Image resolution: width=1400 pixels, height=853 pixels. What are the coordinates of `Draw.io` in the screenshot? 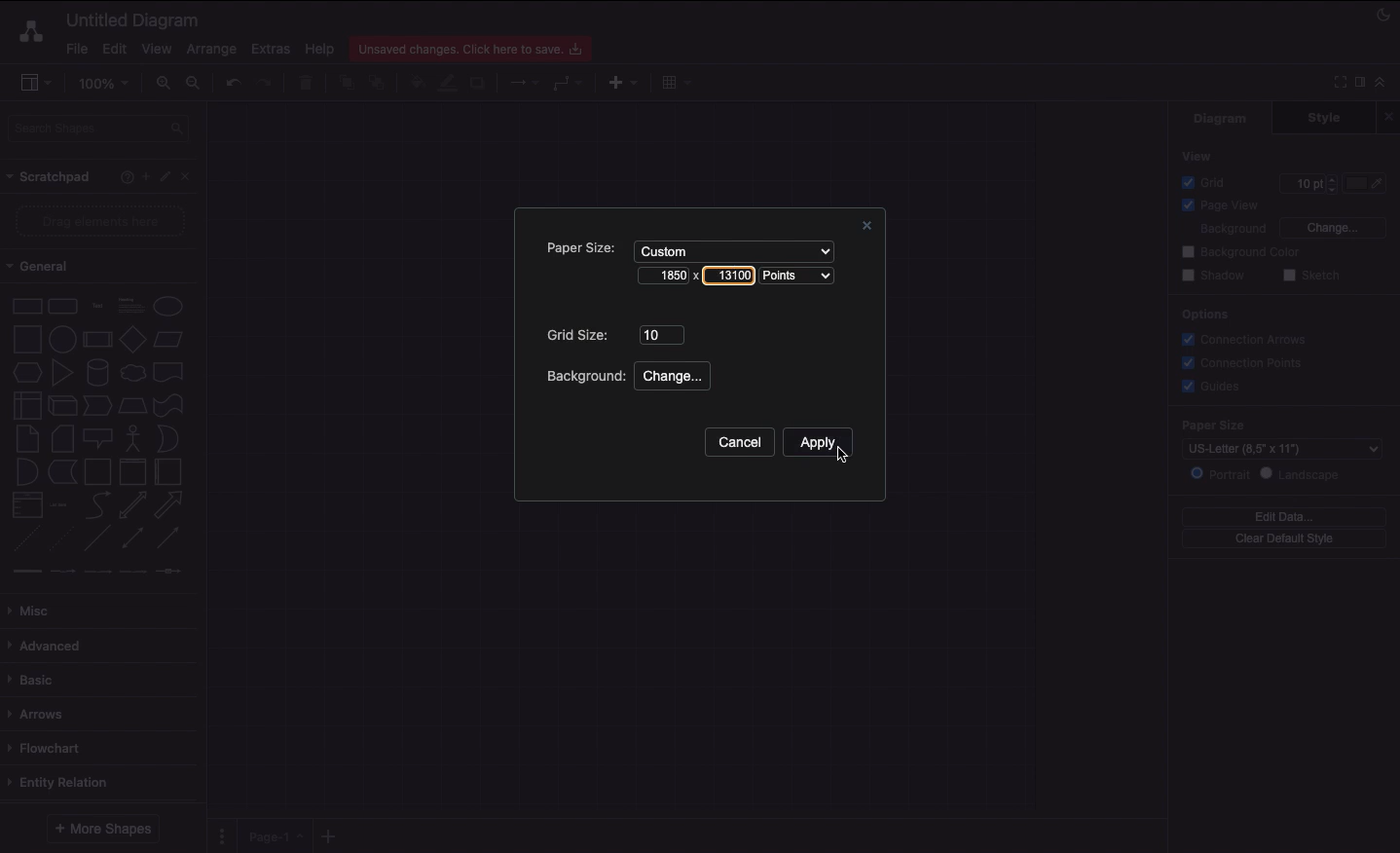 It's located at (27, 31).